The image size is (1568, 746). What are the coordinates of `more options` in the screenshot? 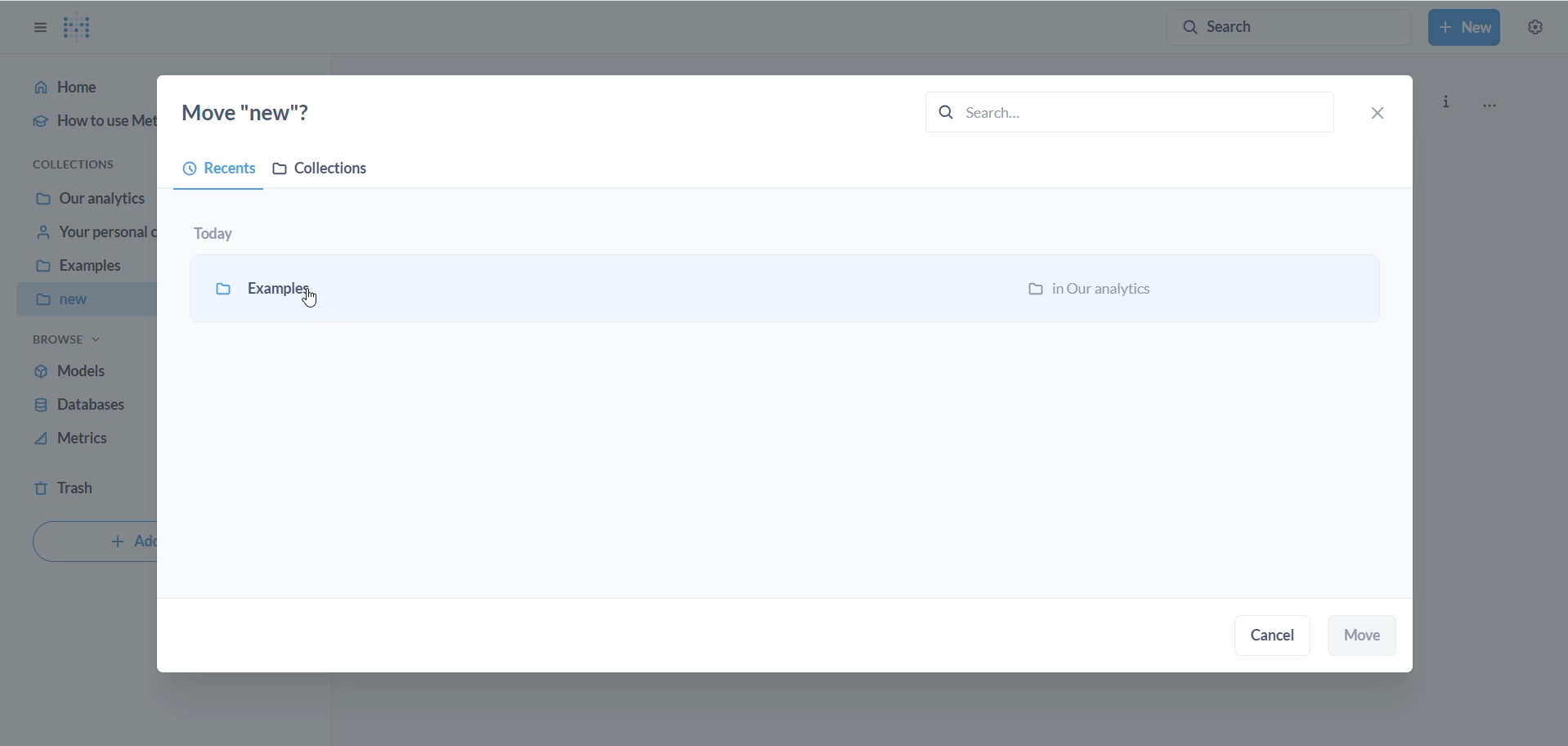 It's located at (1498, 106).